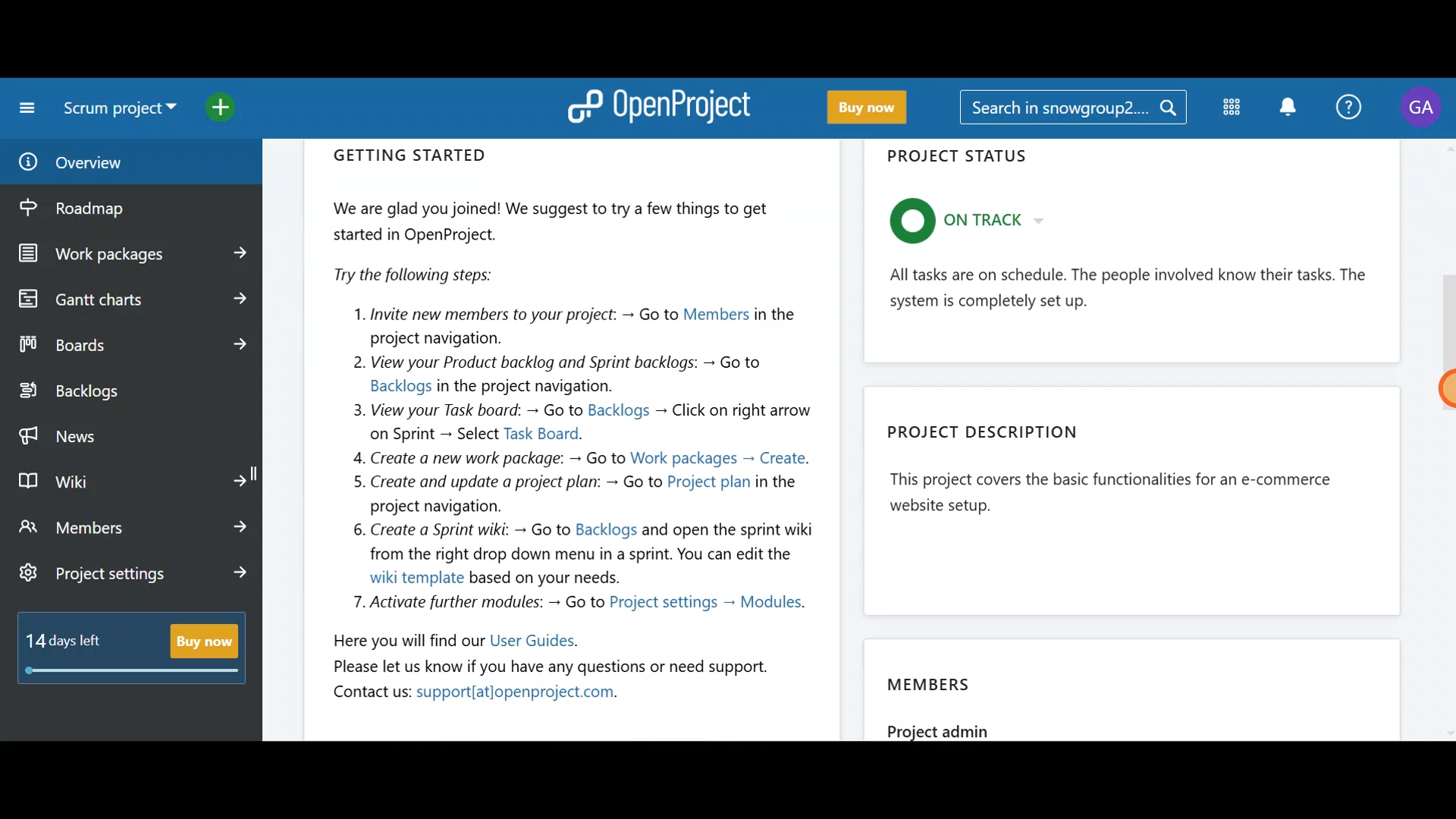  Describe the element at coordinates (573, 428) in the screenshot. I see `Getting started` at that location.